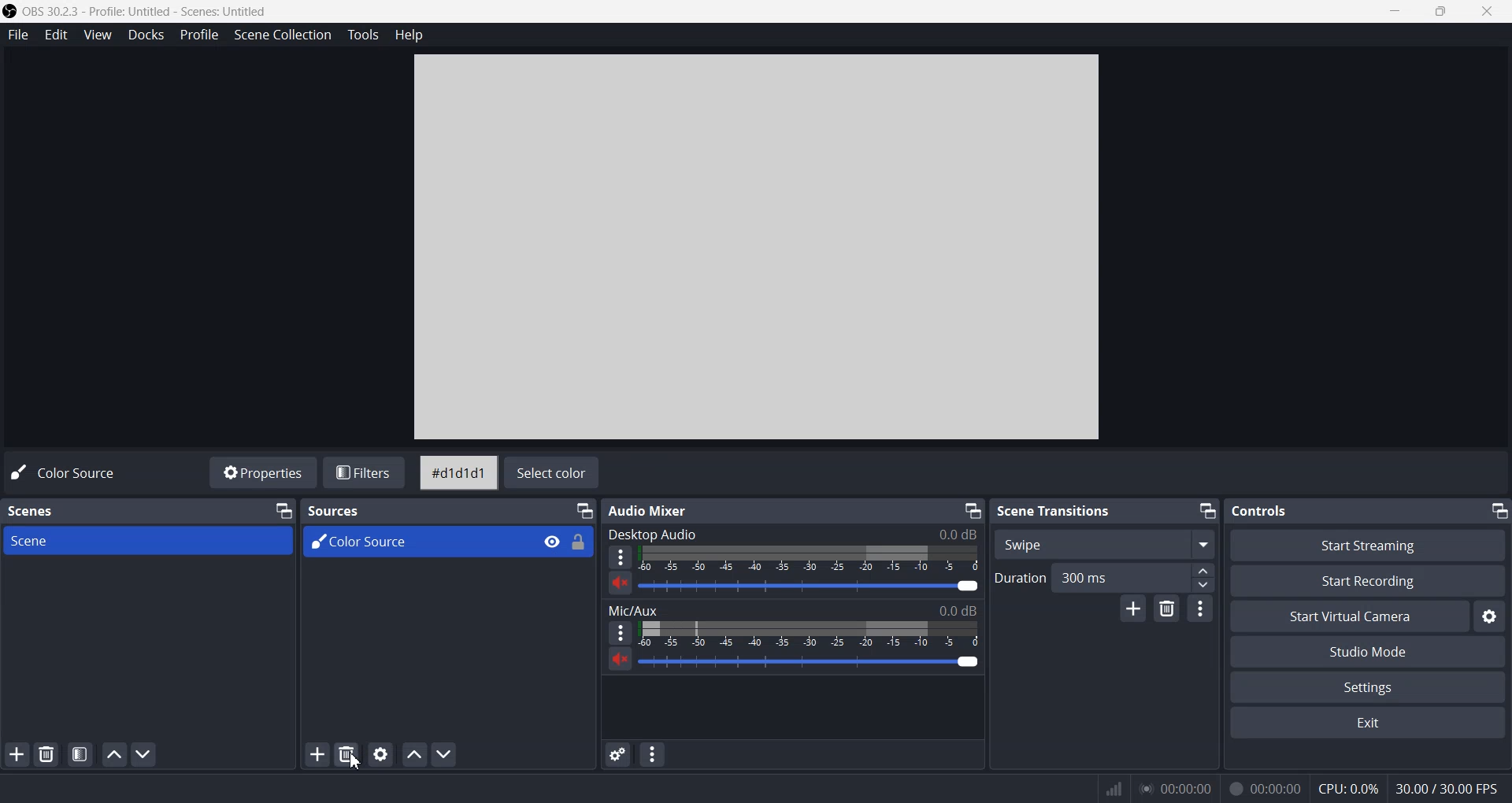 The image size is (1512, 803). I want to click on Minimize, so click(1208, 512).